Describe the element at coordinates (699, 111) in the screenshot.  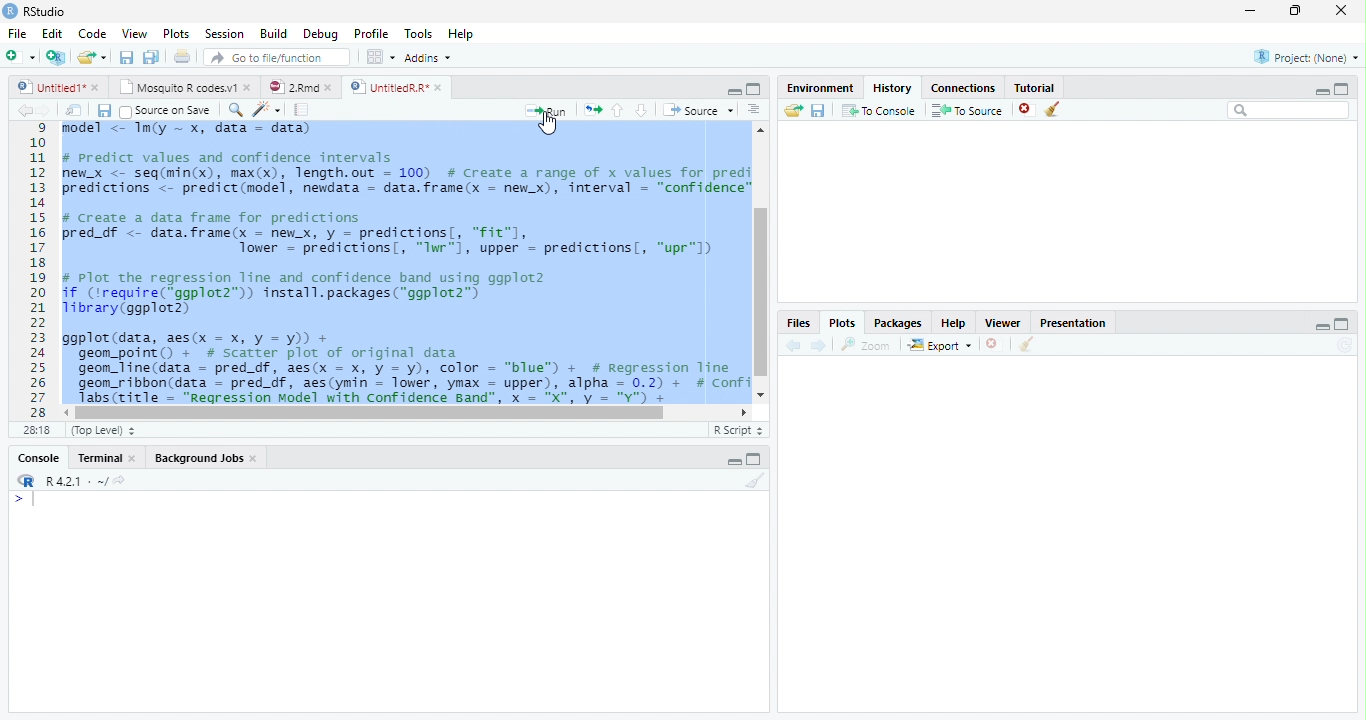
I see `Source` at that location.